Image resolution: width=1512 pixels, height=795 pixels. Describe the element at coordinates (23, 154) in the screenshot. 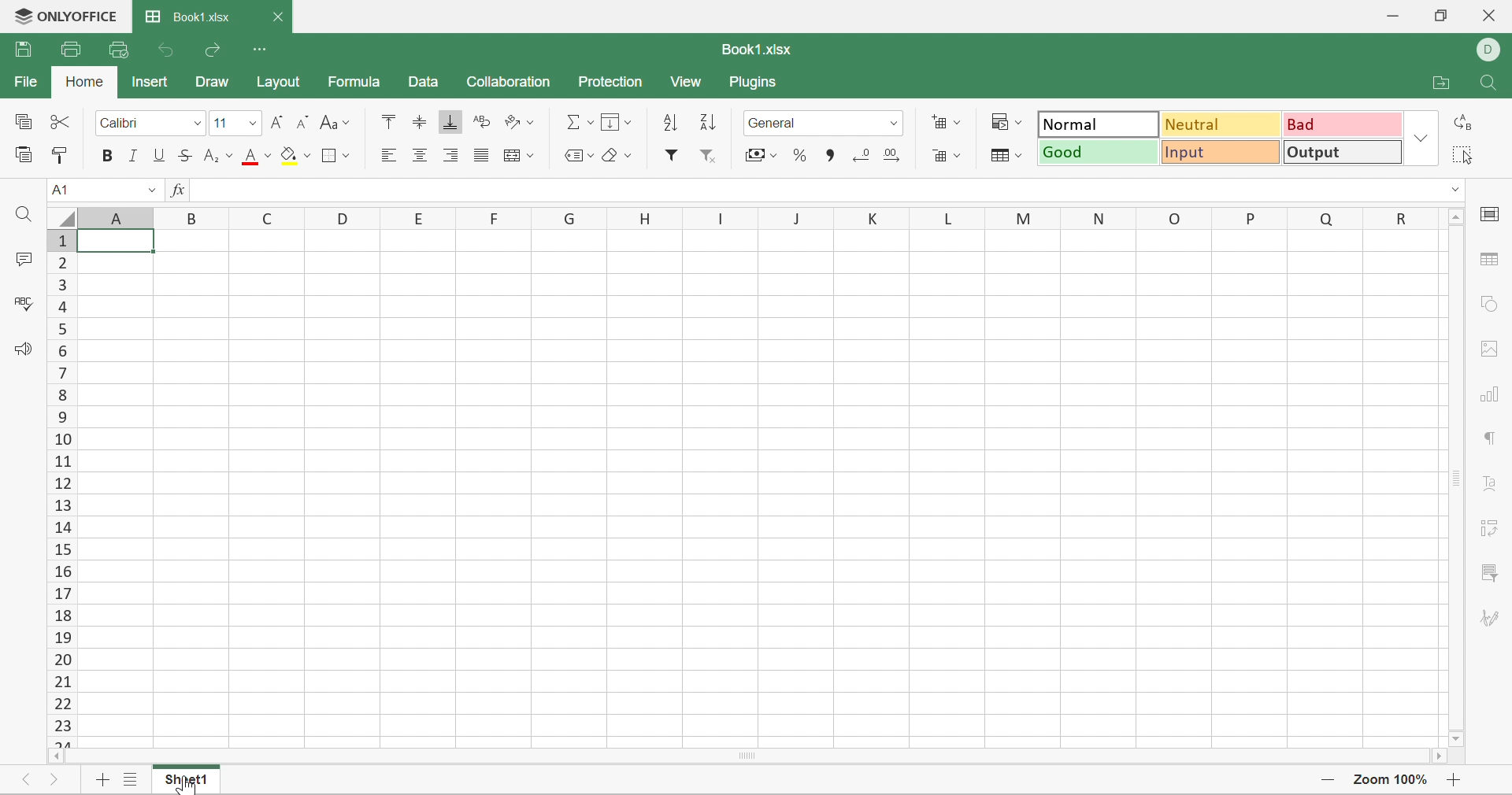

I see `Paste` at that location.